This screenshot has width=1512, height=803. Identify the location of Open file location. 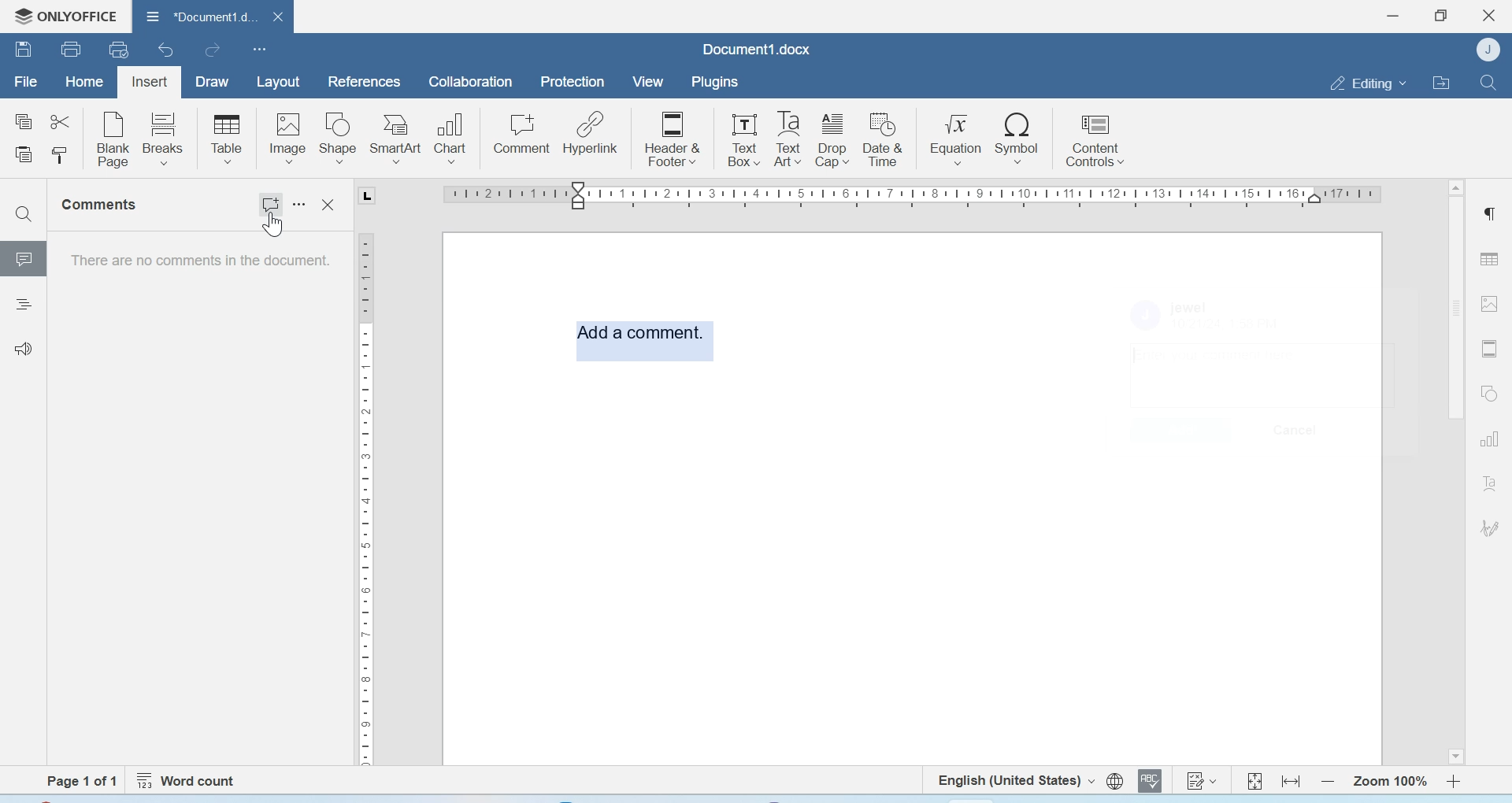
(1441, 82).